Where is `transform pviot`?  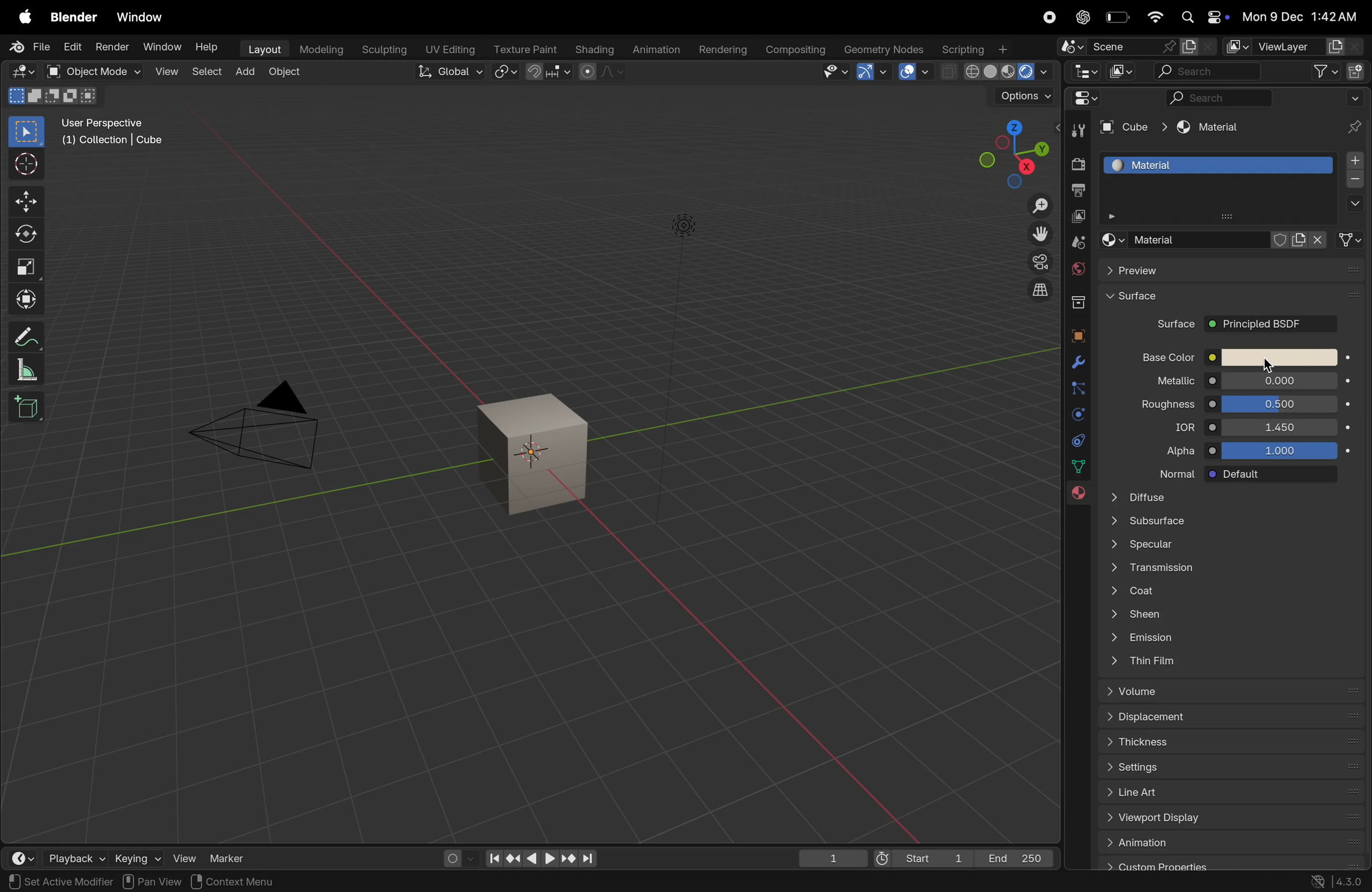 transform pviot is located at coordinates (506, 72).